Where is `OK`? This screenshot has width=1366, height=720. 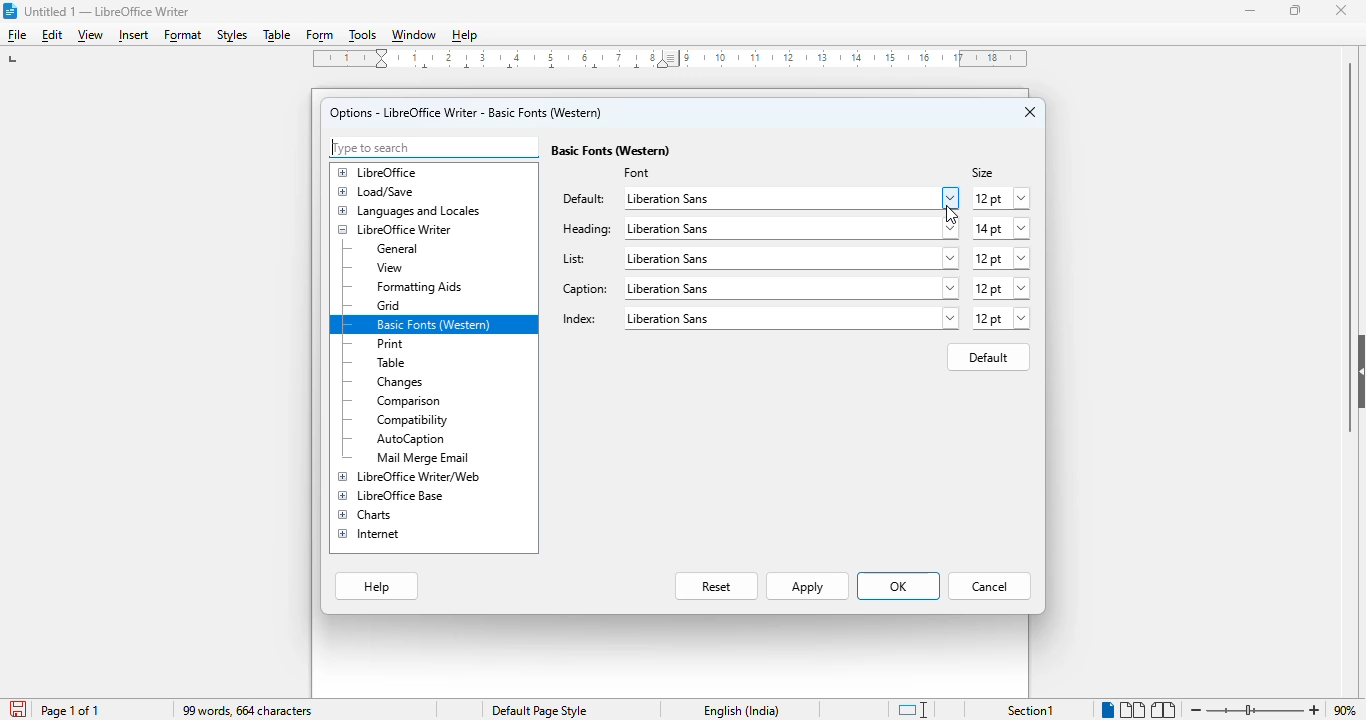 OK is located at coordinates (900, 586).